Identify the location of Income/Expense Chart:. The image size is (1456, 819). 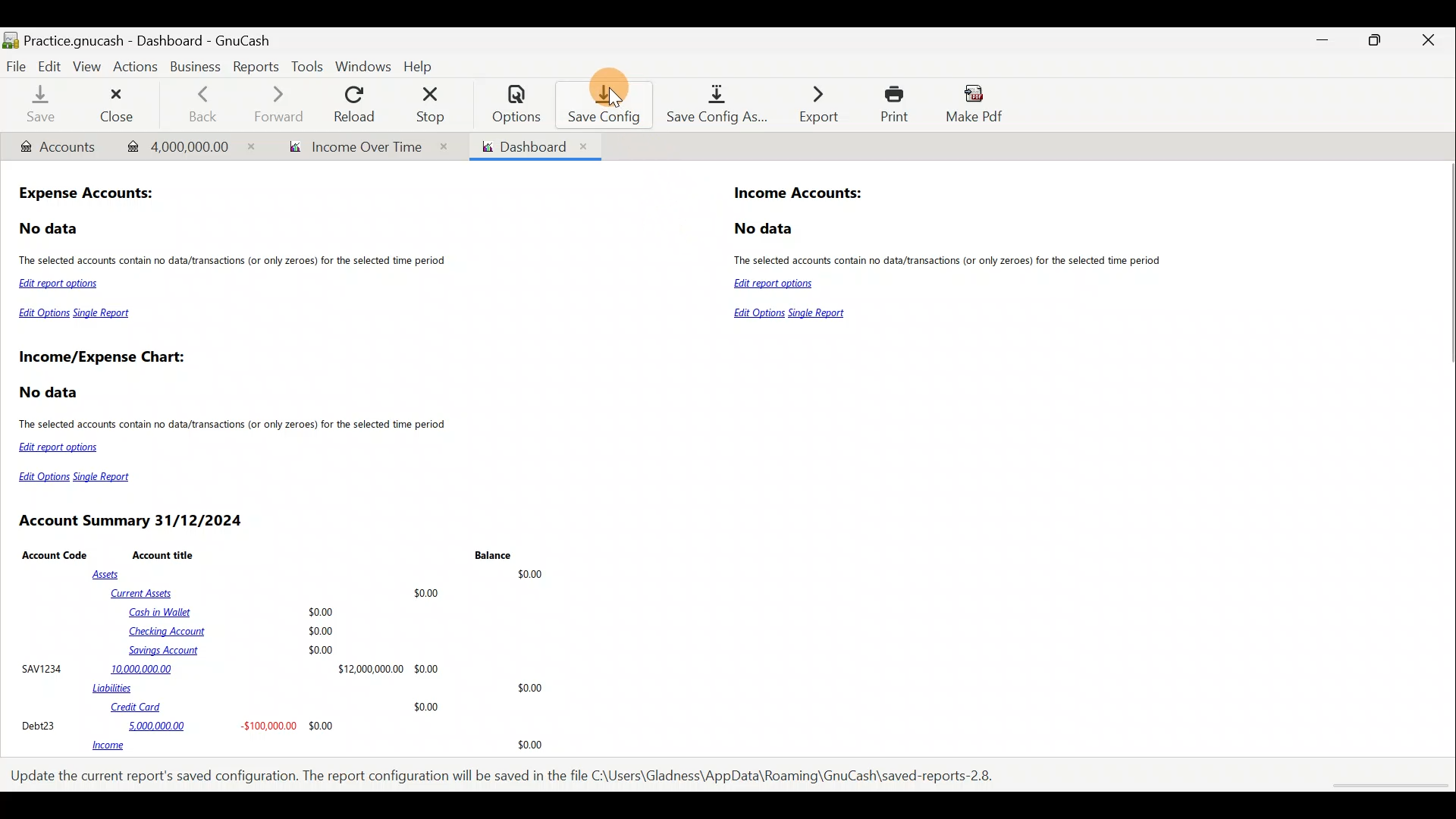
(102, 359).